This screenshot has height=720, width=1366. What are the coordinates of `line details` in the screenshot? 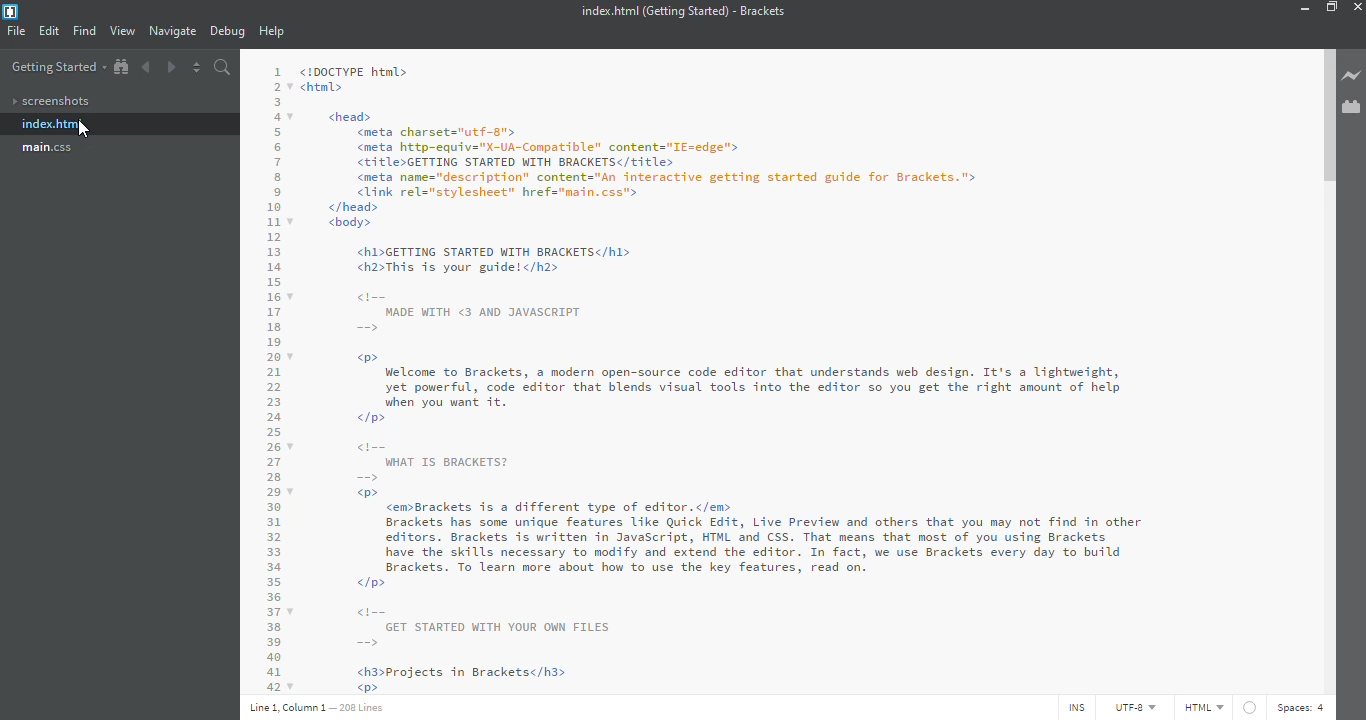 It's located at (319, 707).